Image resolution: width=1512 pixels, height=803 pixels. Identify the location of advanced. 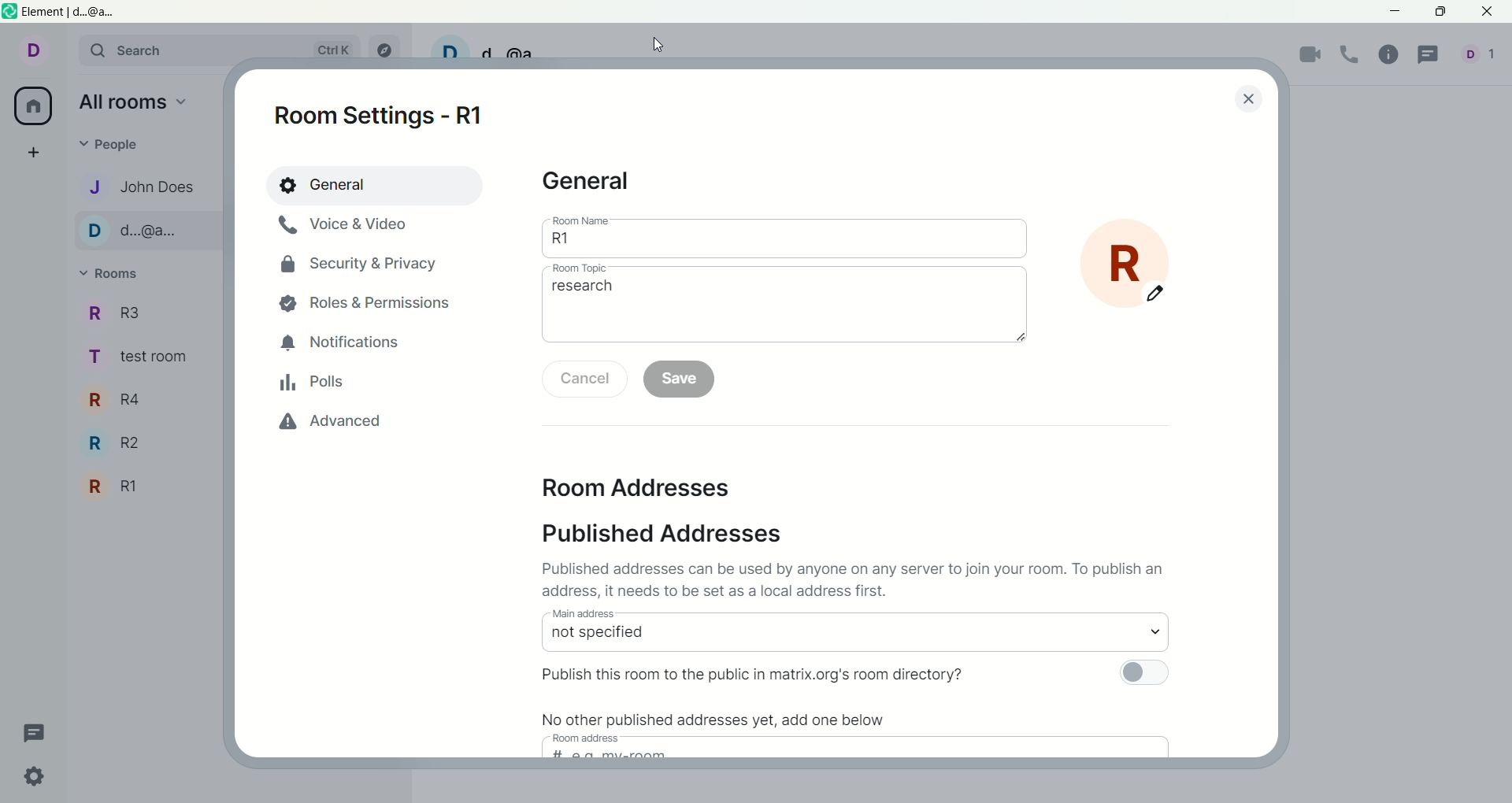
(323, 421).